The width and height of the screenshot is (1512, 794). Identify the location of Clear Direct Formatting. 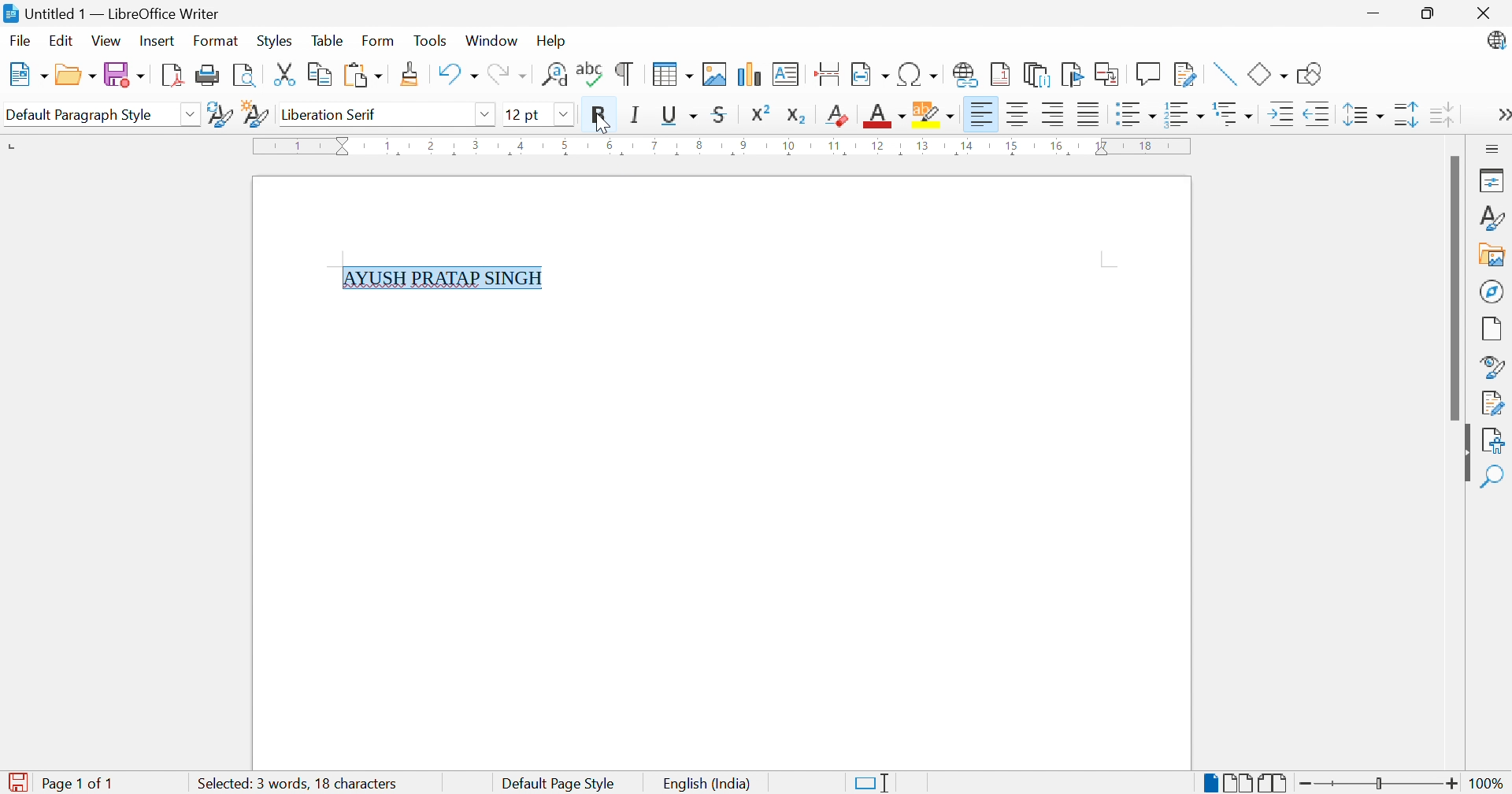
(838, 117).